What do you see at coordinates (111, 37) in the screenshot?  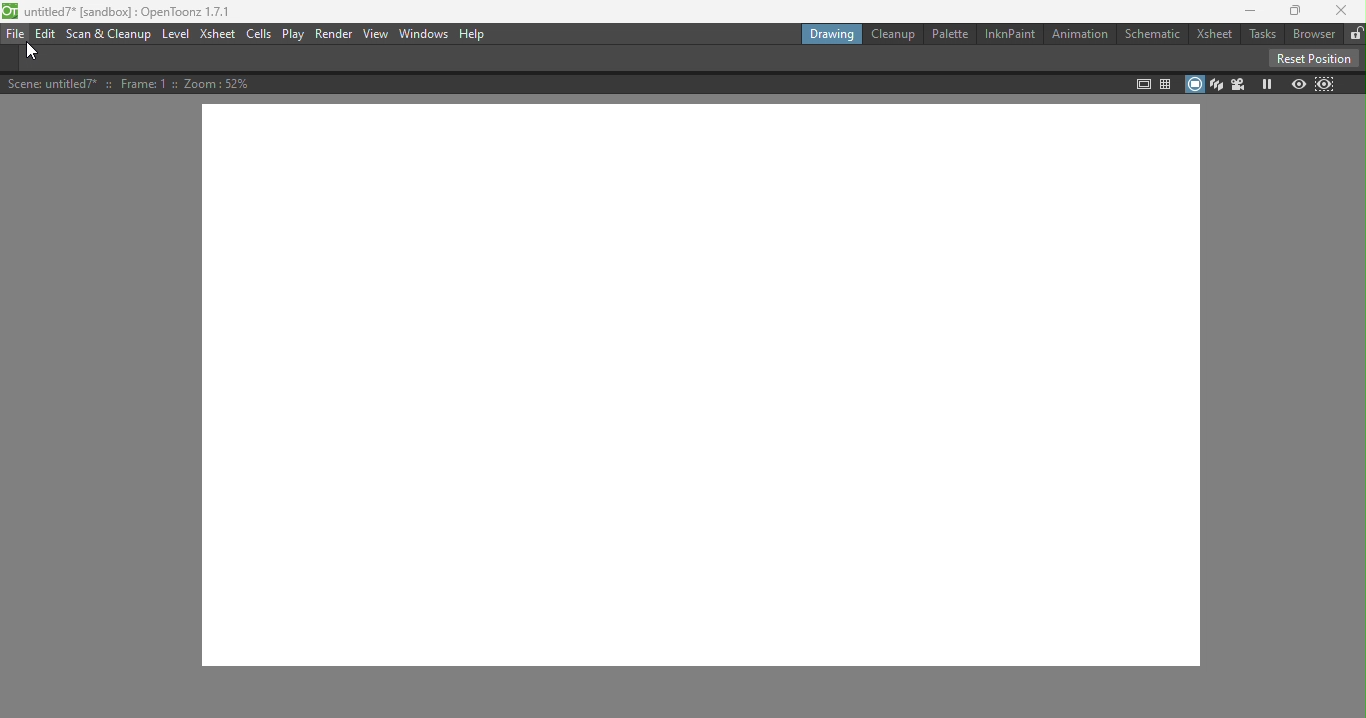 I see `Scan & Cleanup` at bounding box center [111, 37].